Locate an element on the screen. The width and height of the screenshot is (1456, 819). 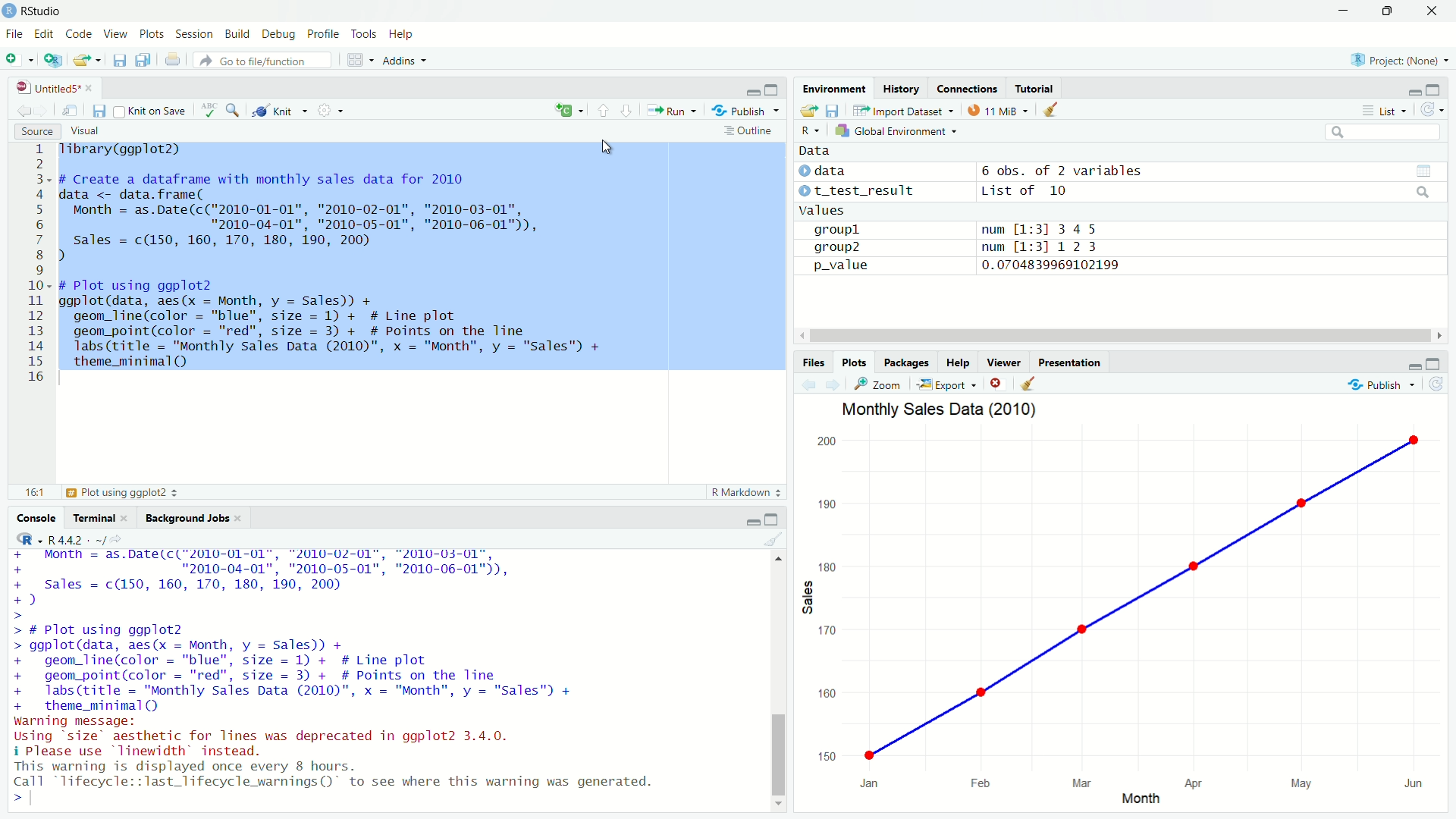
save is located at coordinates (99, 111).